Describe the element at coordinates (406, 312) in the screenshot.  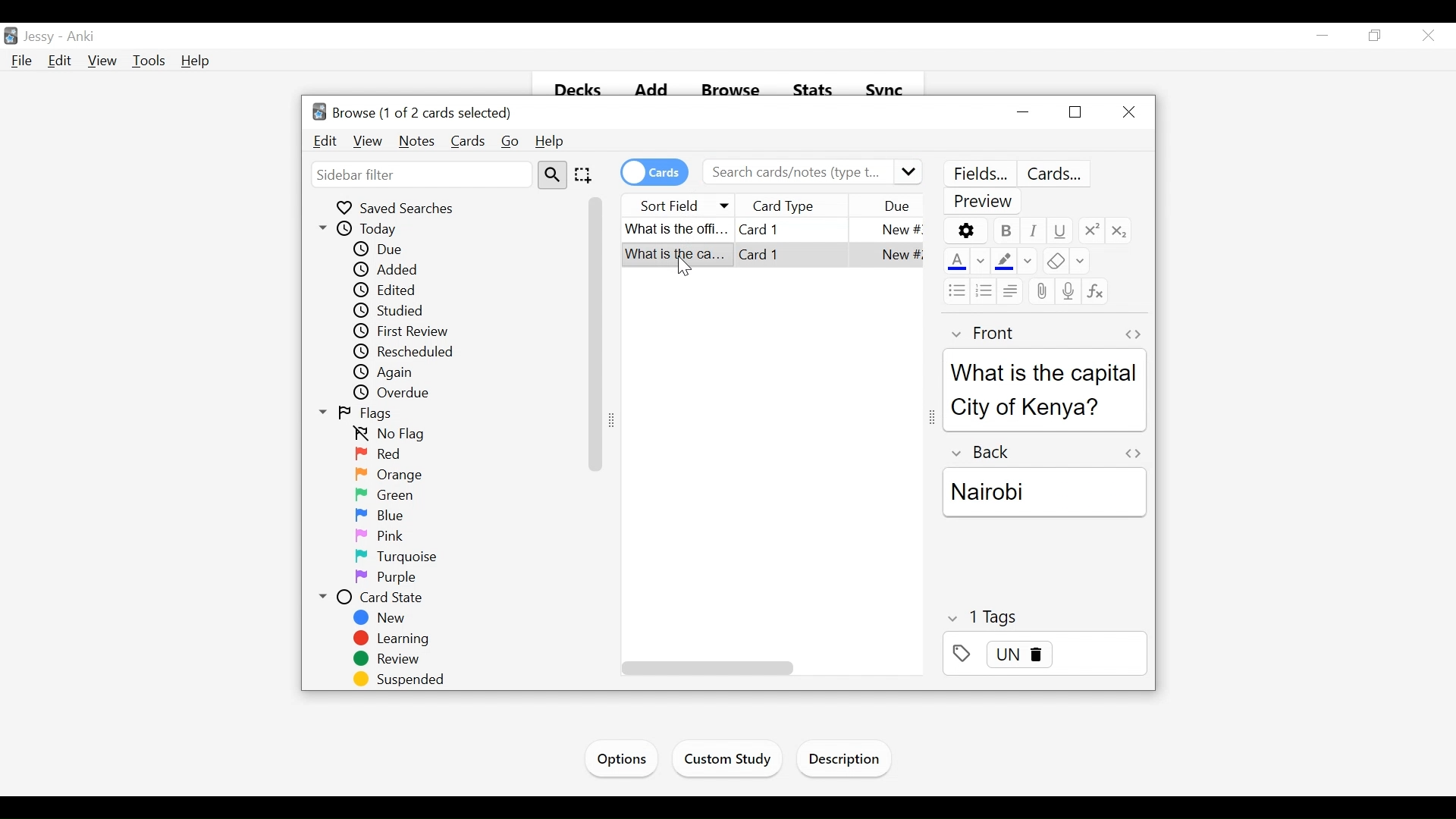
I see `Studied` at that location.